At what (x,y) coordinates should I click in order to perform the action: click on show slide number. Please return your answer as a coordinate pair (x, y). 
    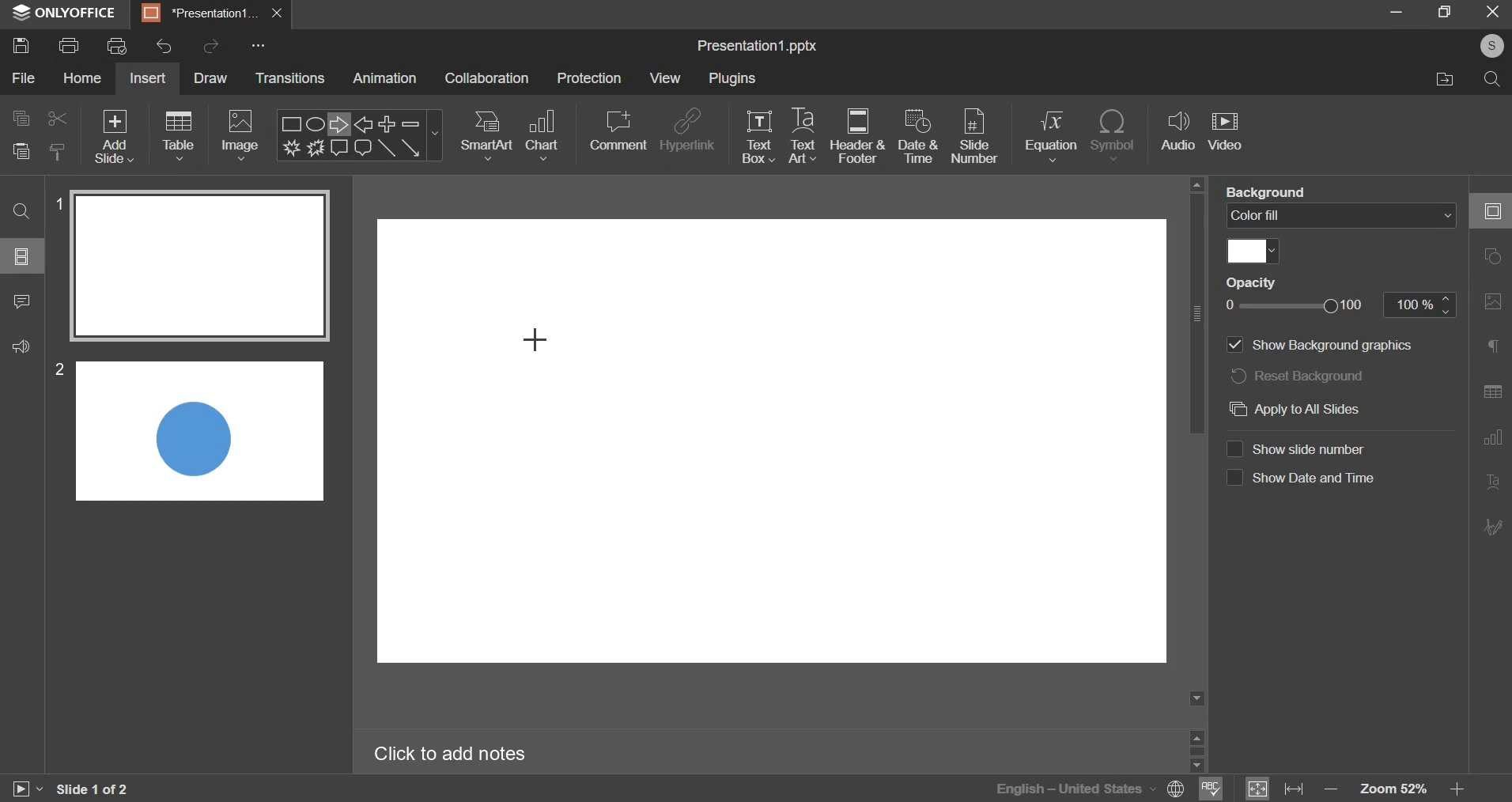
    Looking at the image, I should click on (1302, 450).